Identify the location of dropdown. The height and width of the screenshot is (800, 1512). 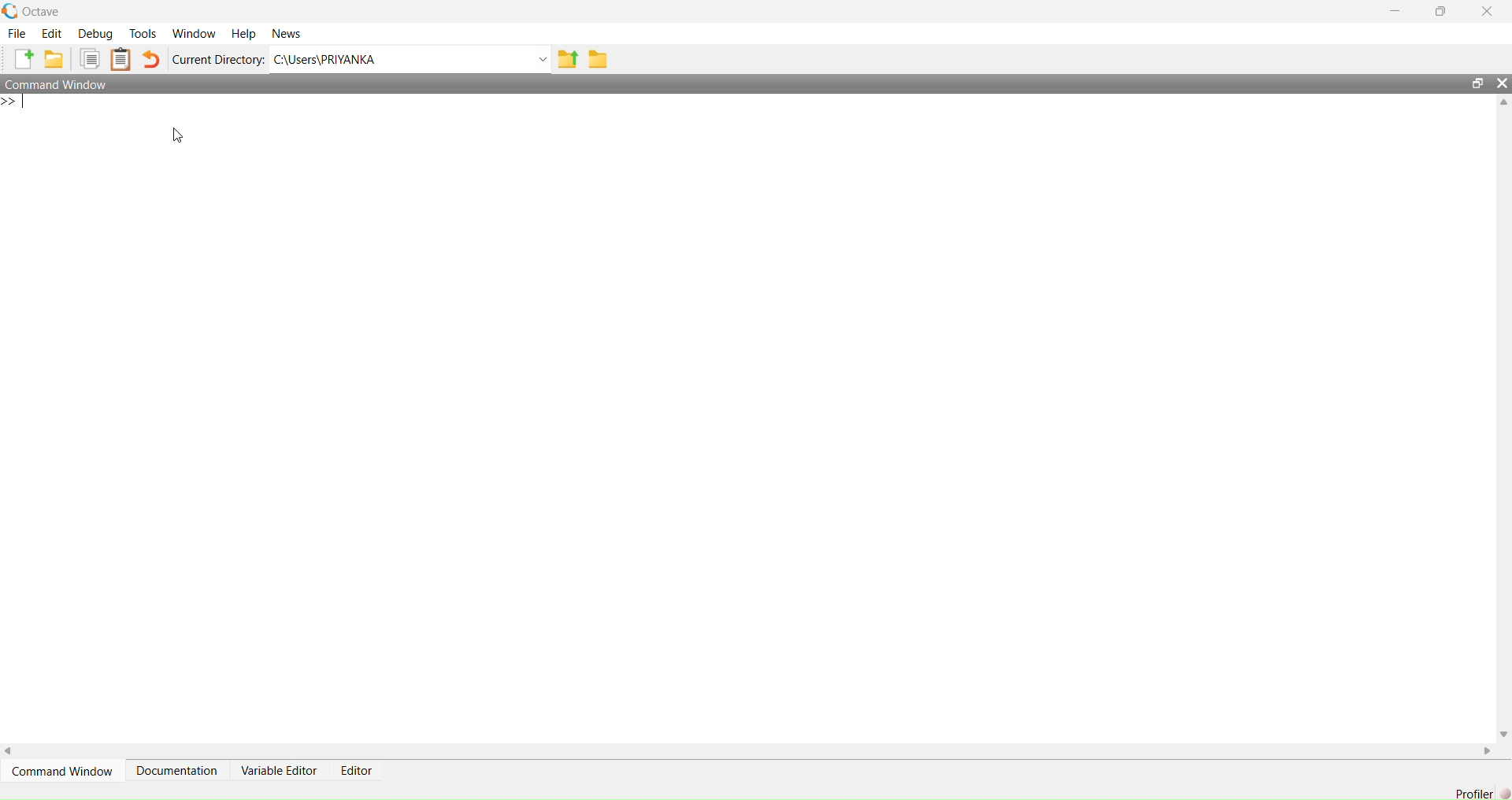
(537, 60).